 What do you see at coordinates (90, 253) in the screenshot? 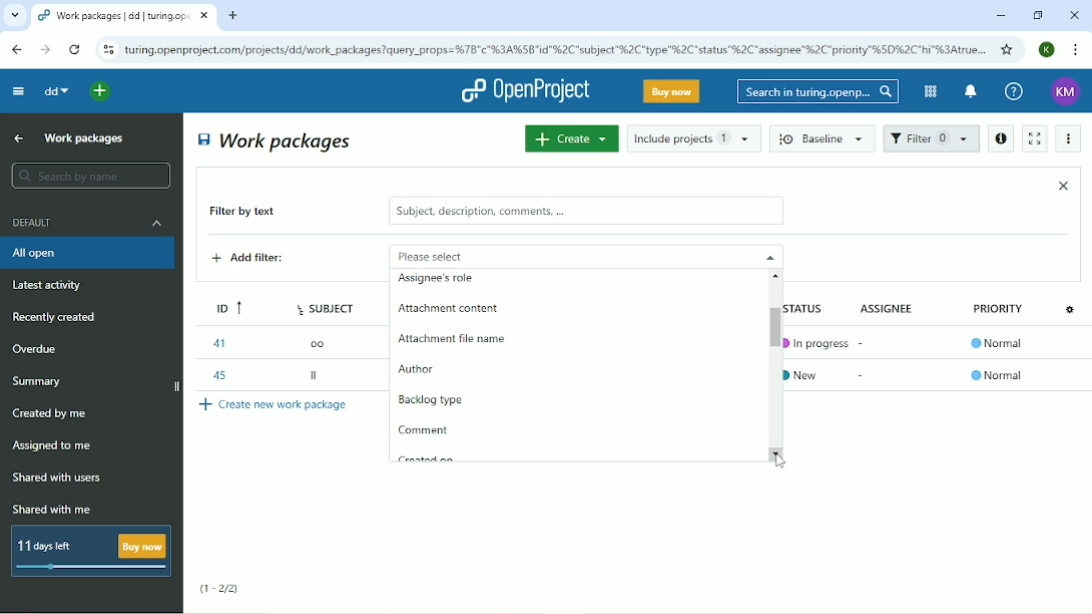
I see `All open` at bounding box center [90, 253].